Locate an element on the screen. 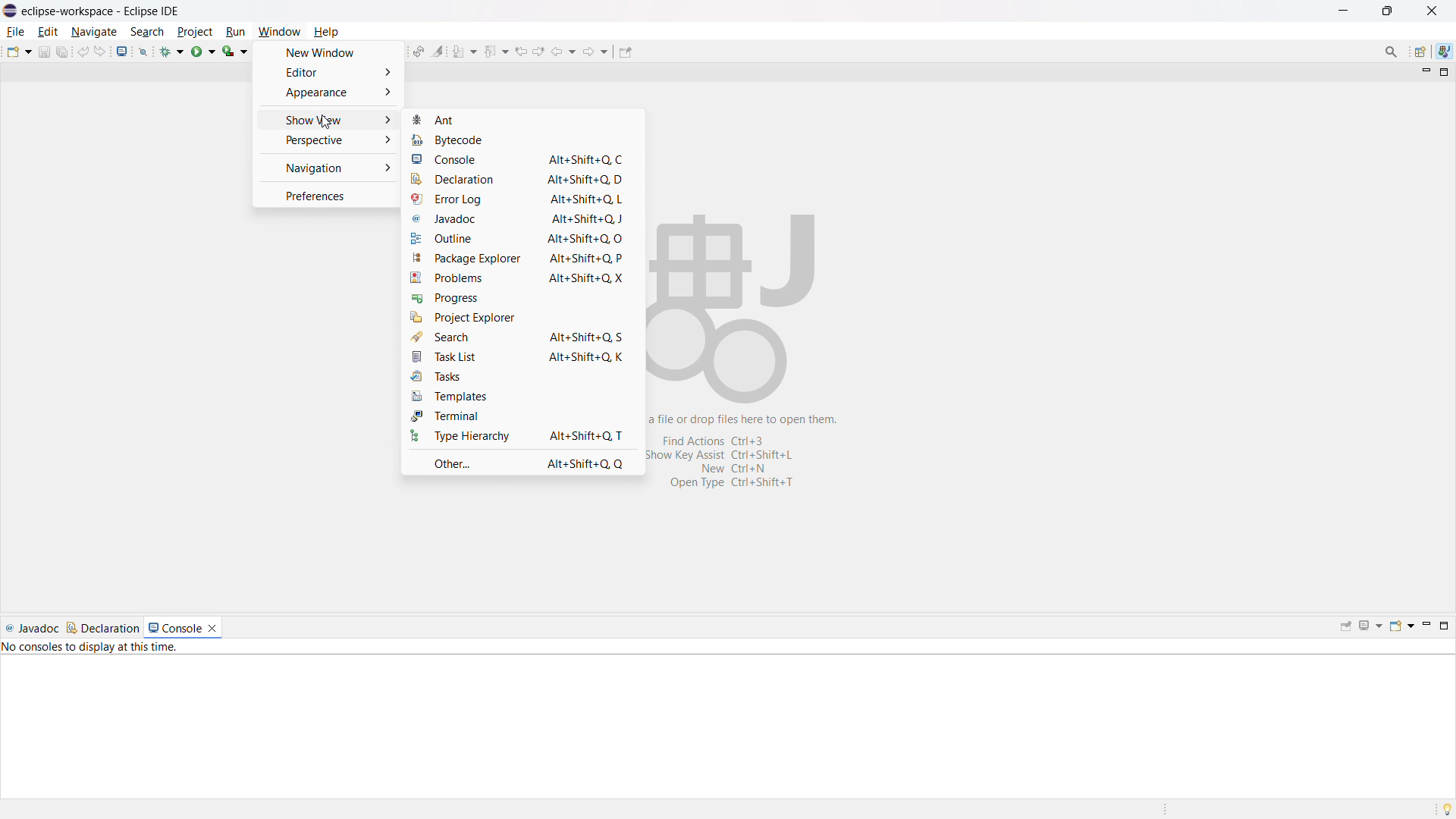 The width and height of the screenshot is (1456, 819). window is located at coordinates (279, 32).